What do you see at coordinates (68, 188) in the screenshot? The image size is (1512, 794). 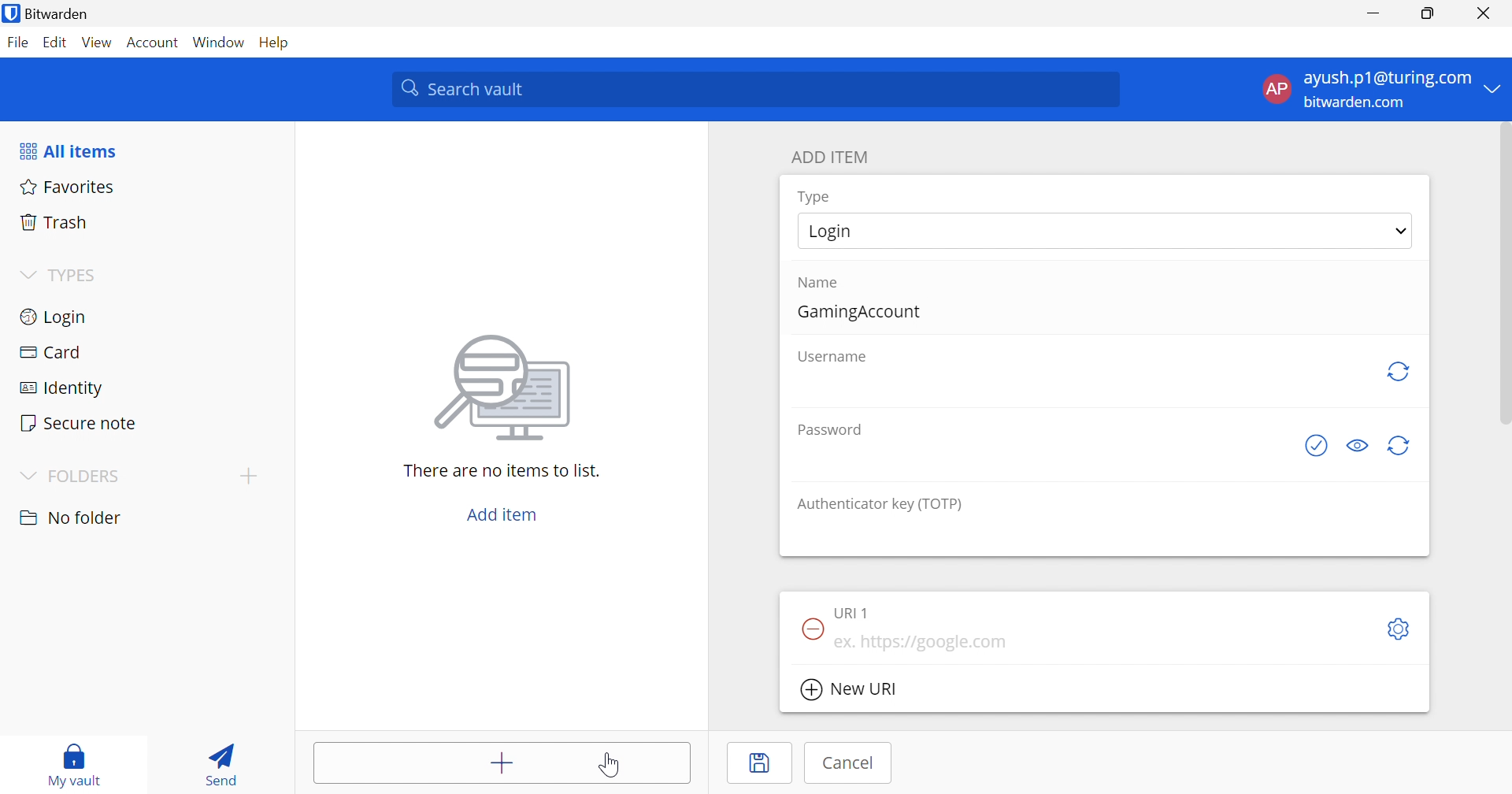 I see `Favorites` at bounding box center [68, 188].